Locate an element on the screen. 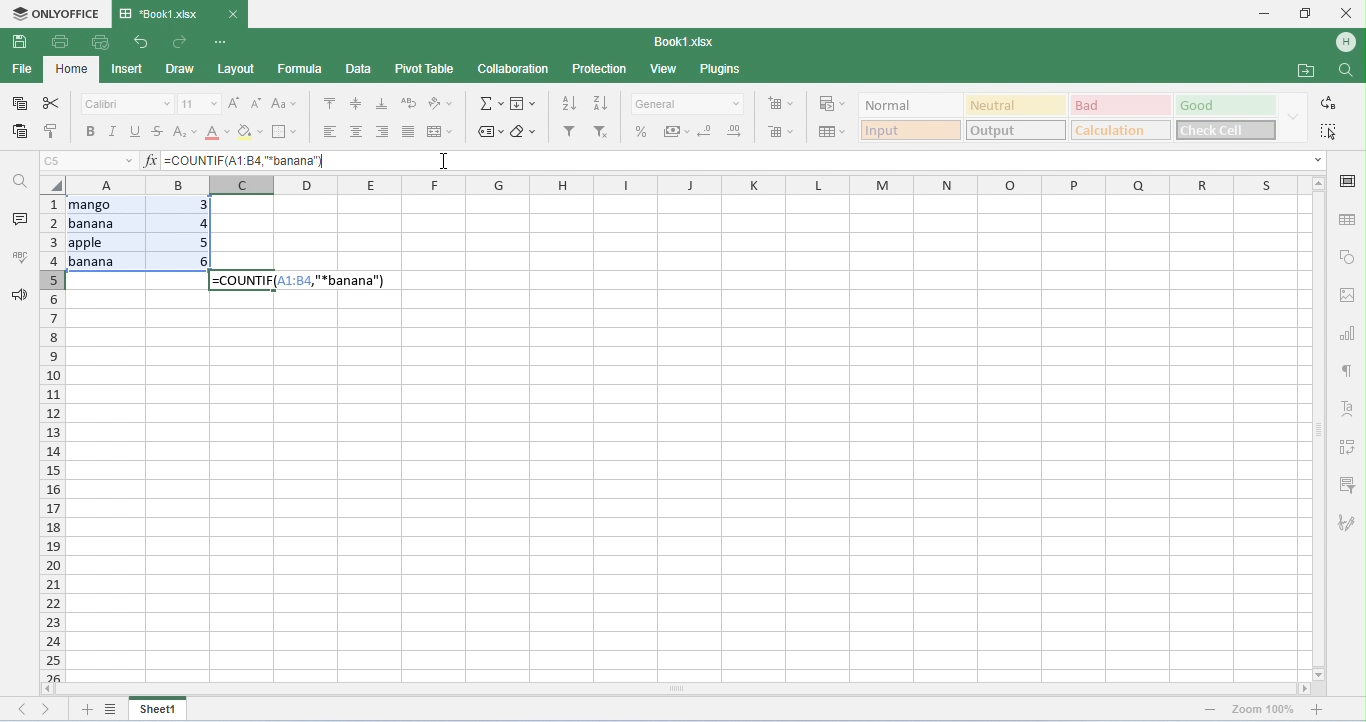 The height and width of the screenshot is (722, 1366). spell checking is located at coordinates (21, 255).